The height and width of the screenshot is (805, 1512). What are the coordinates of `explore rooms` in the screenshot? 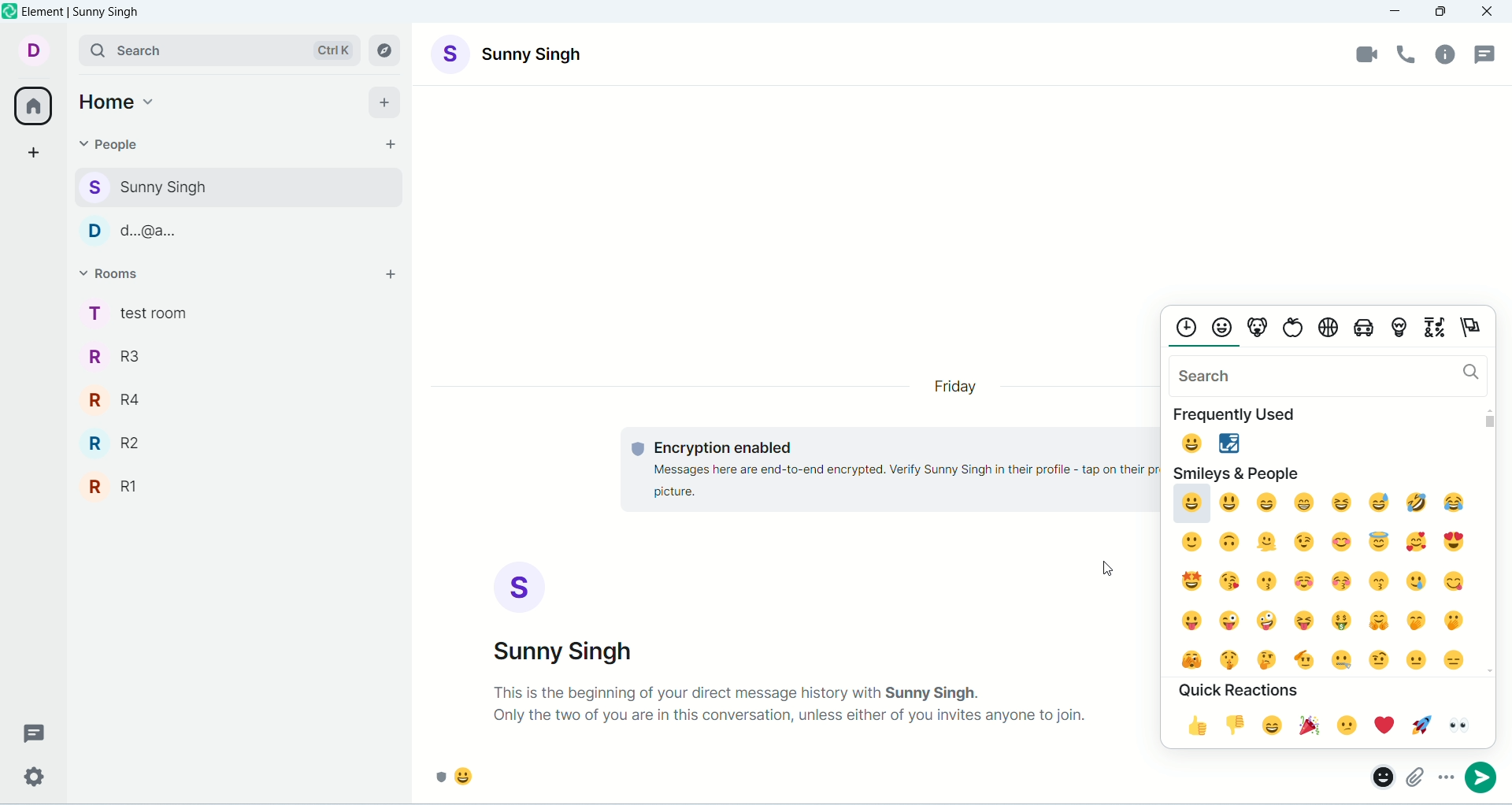 It's located at (387, 51).